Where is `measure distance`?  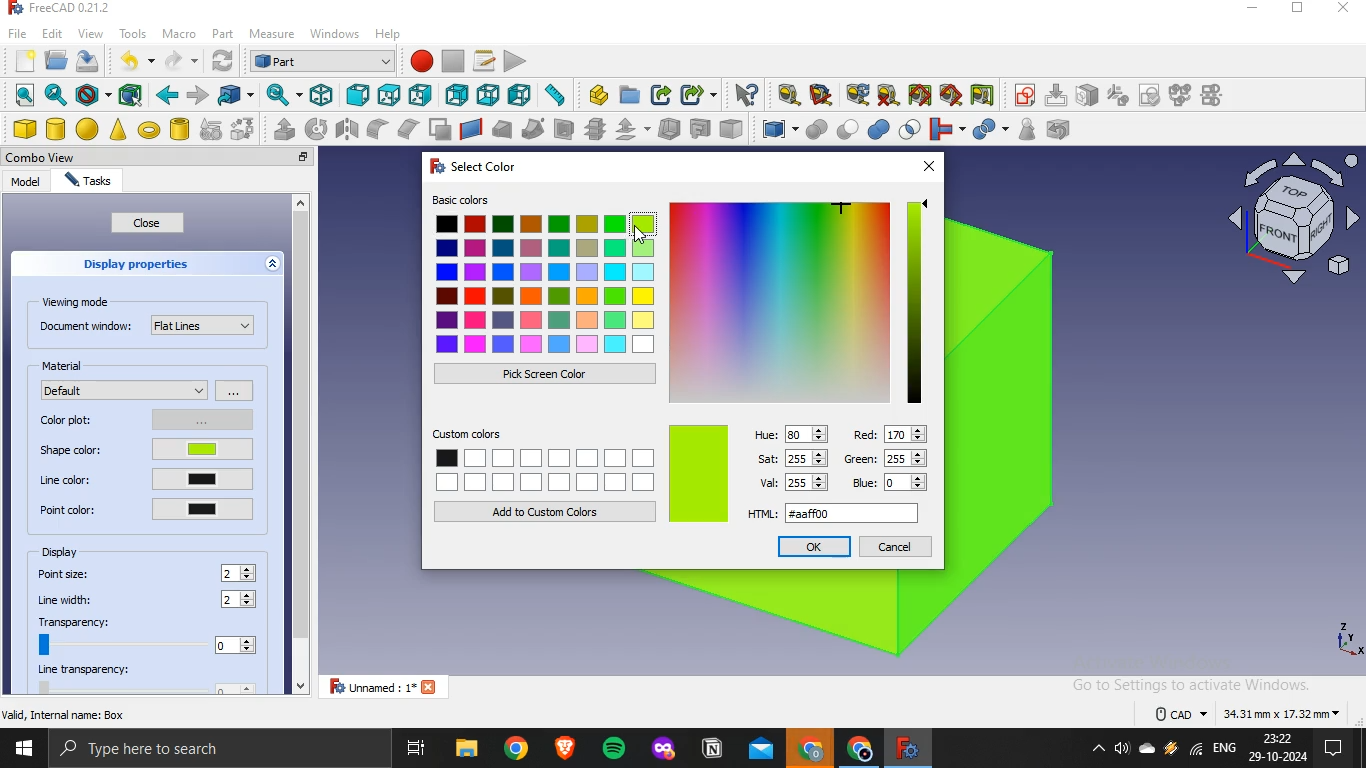
measure distance is located at coordinates (555, 94).